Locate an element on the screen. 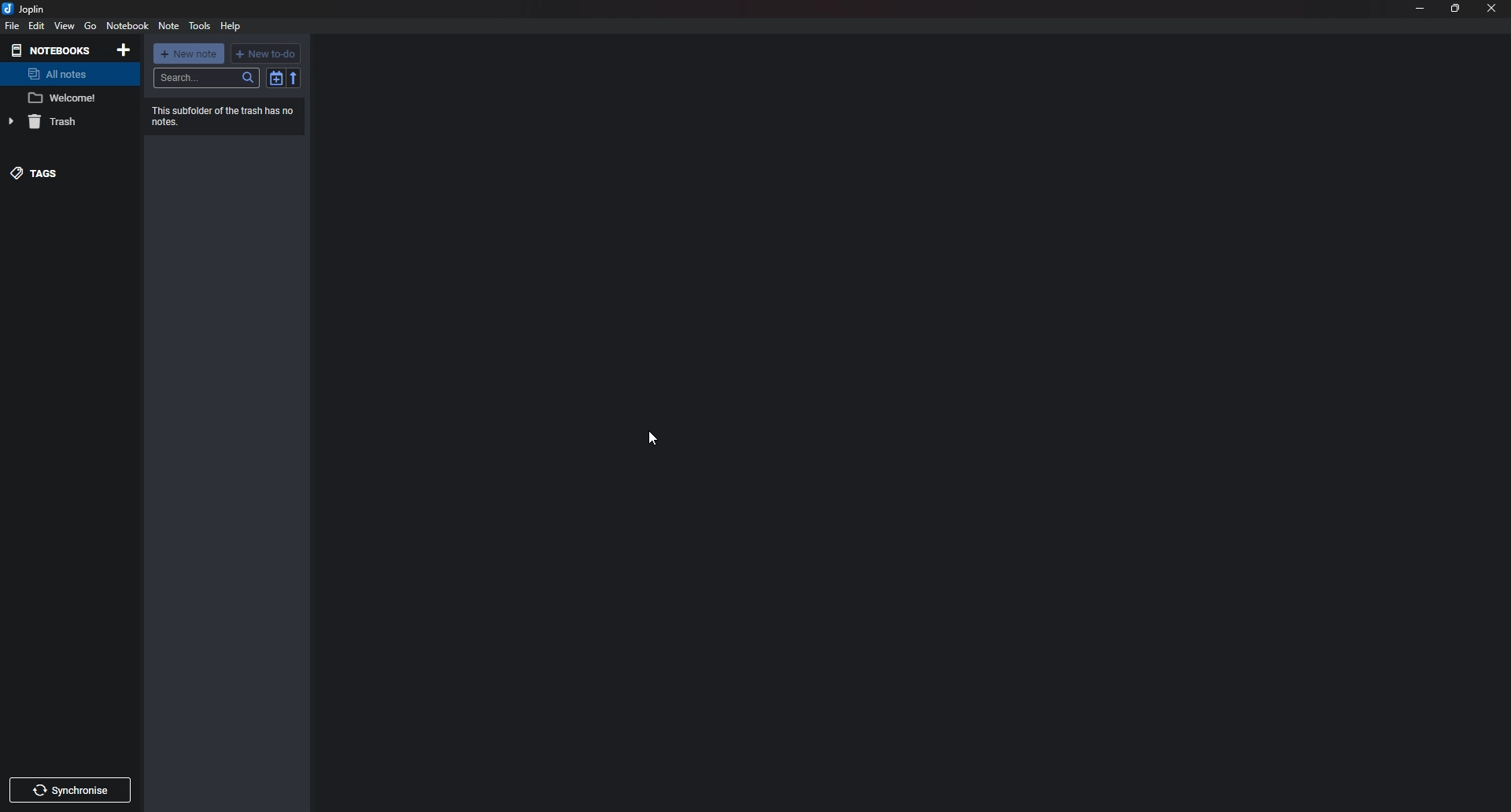 The width and height of the screenshot is (1511, 812). Toggle sort is located at coordinates (275, 78).